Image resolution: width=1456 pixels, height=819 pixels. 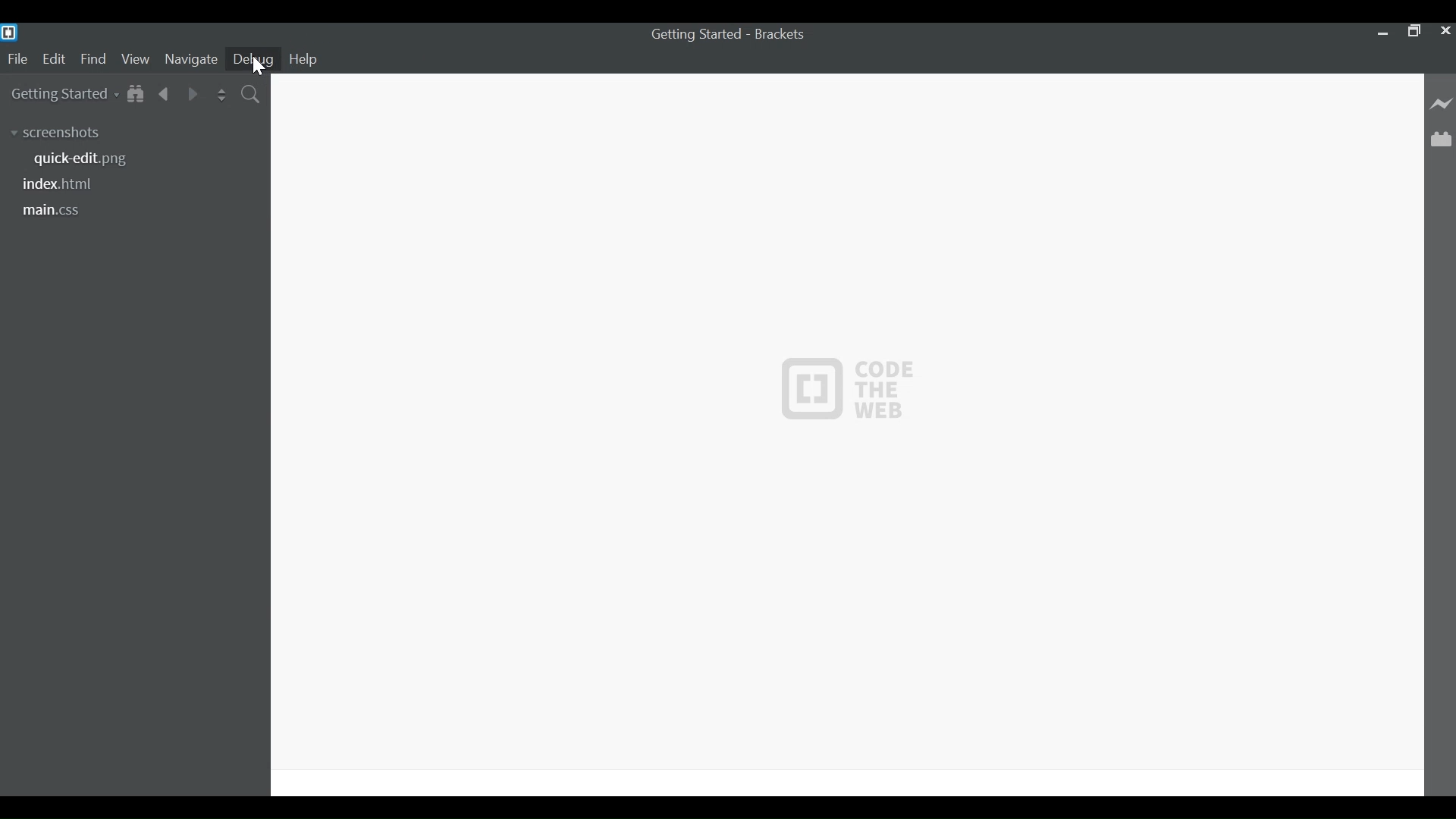 I want to click on Brackets Desktop icon, so click(x=14, y=32).